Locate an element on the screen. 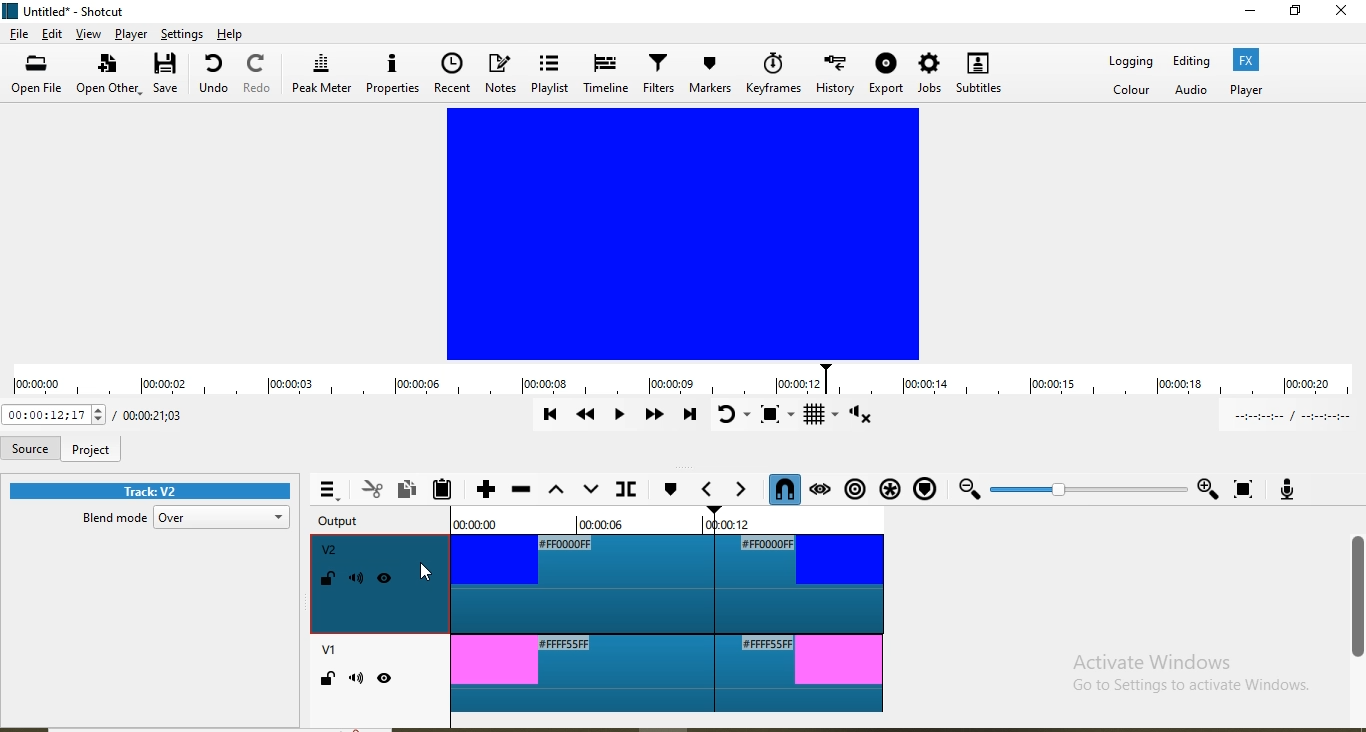 The image size is (1366, 732). Fx is located at coordinates (1247, 60).